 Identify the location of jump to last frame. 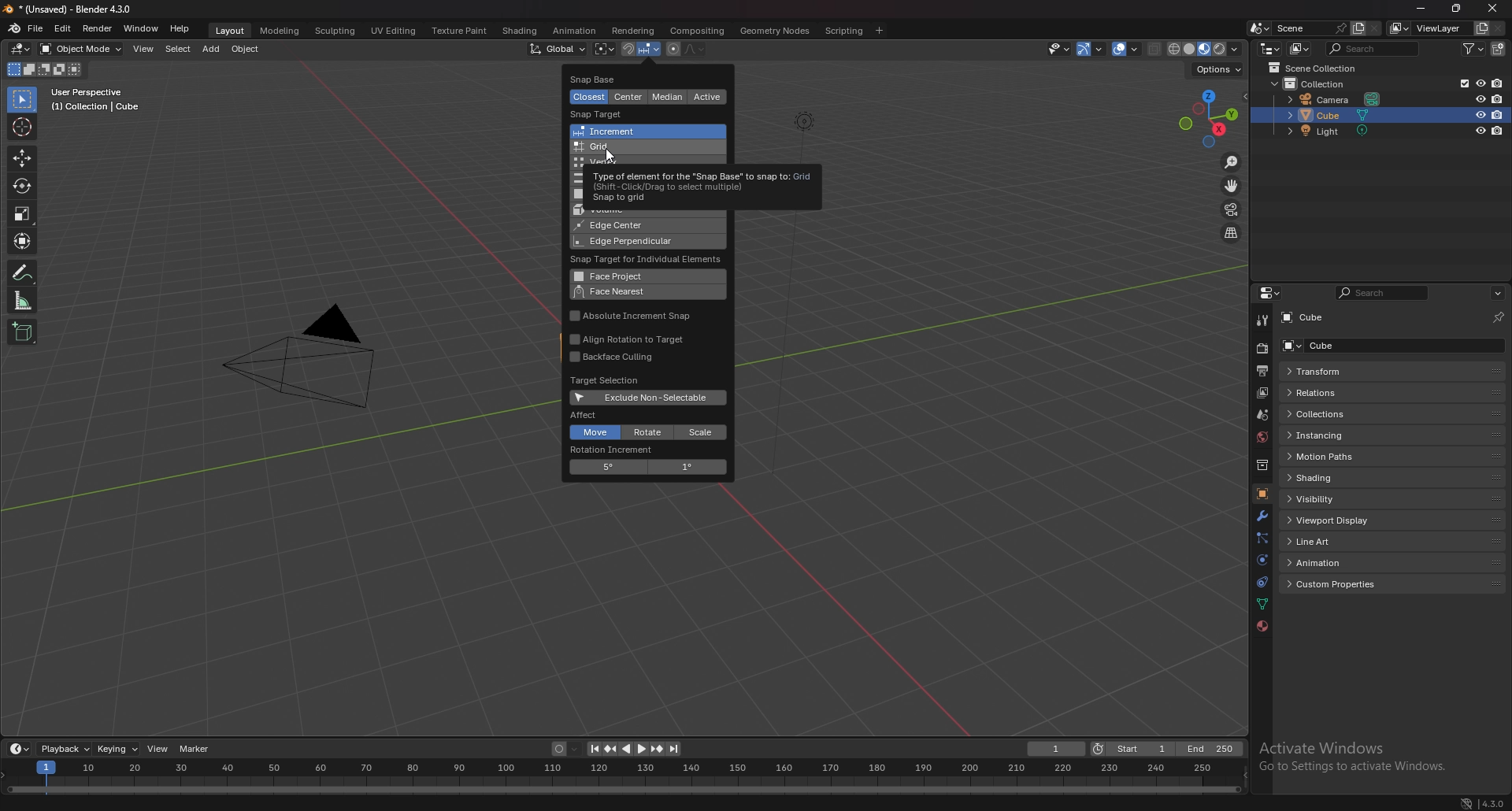
(673, 749).